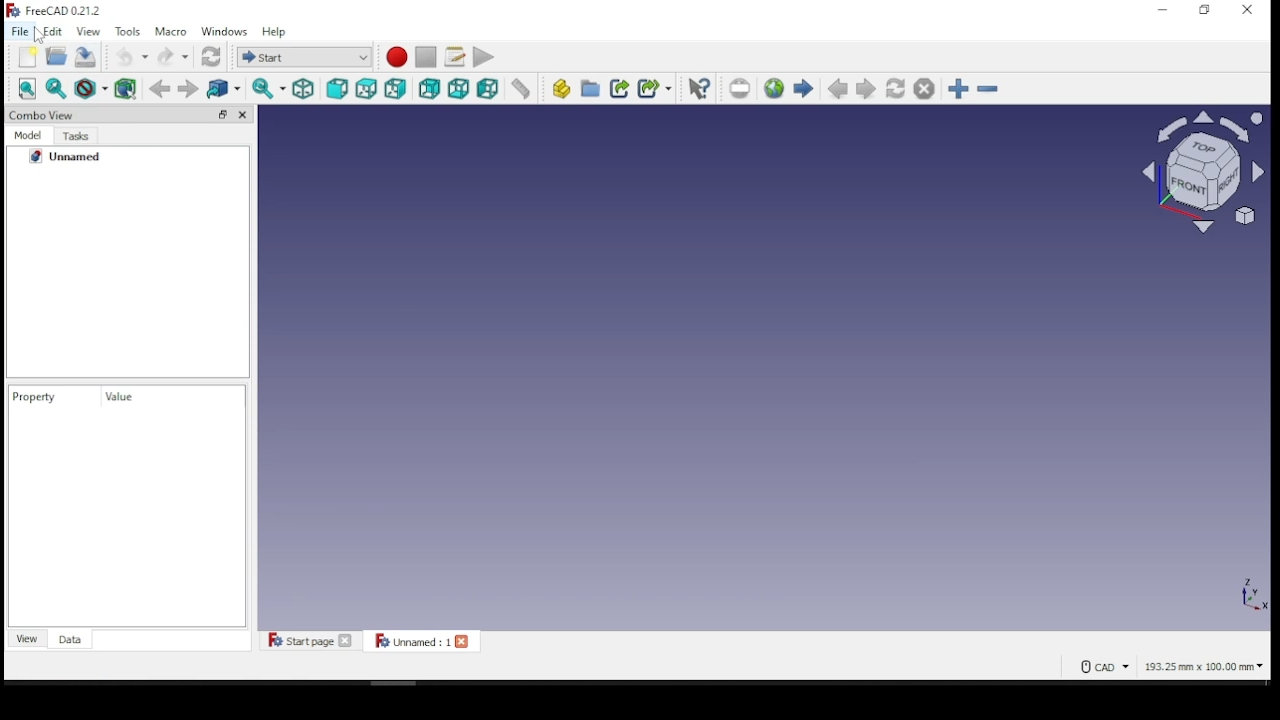 This screenshot has height=720, width=1280. I want to click on forward, so click(189, 88).